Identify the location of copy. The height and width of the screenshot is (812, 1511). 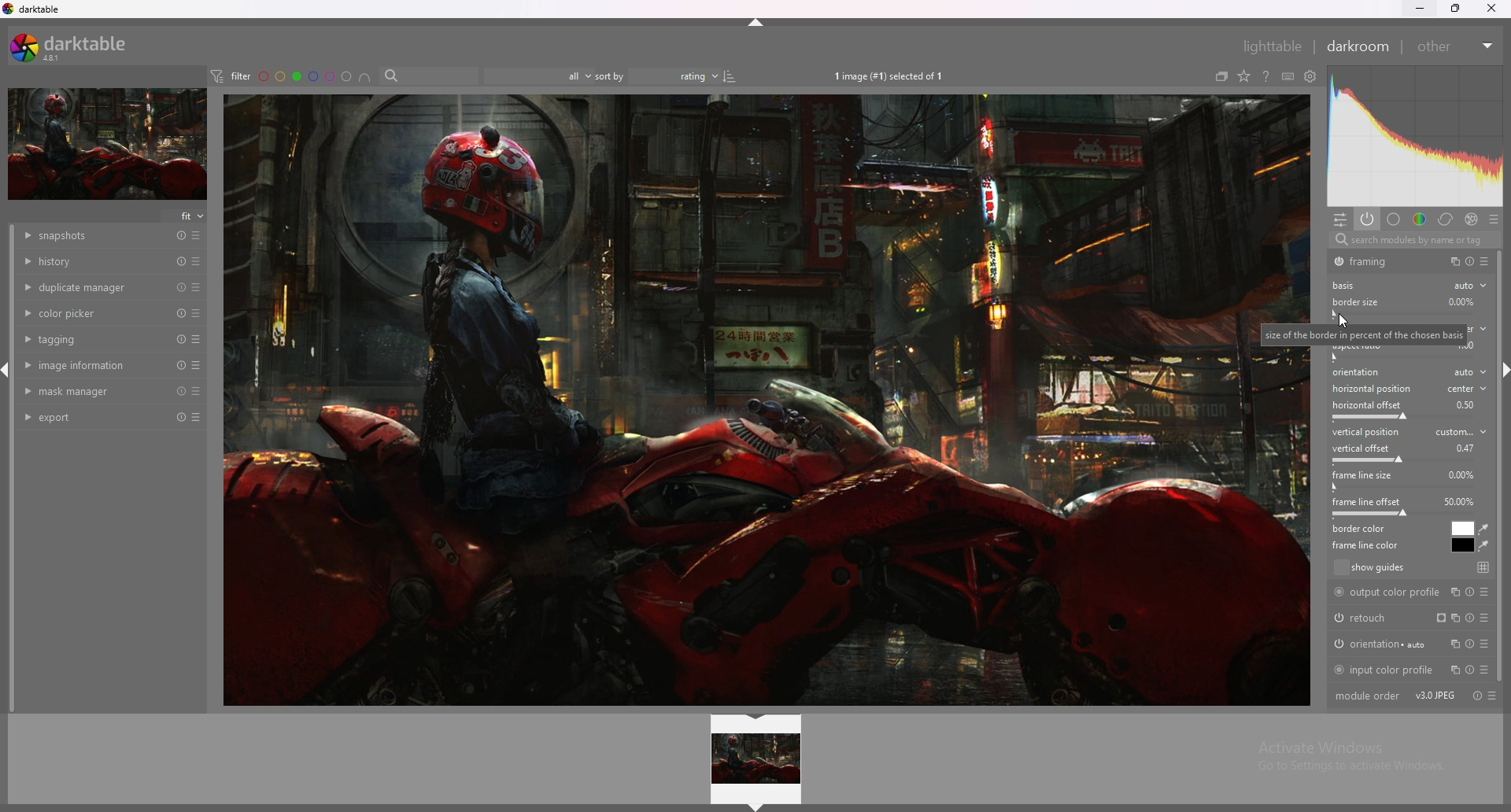
(1451, 261).